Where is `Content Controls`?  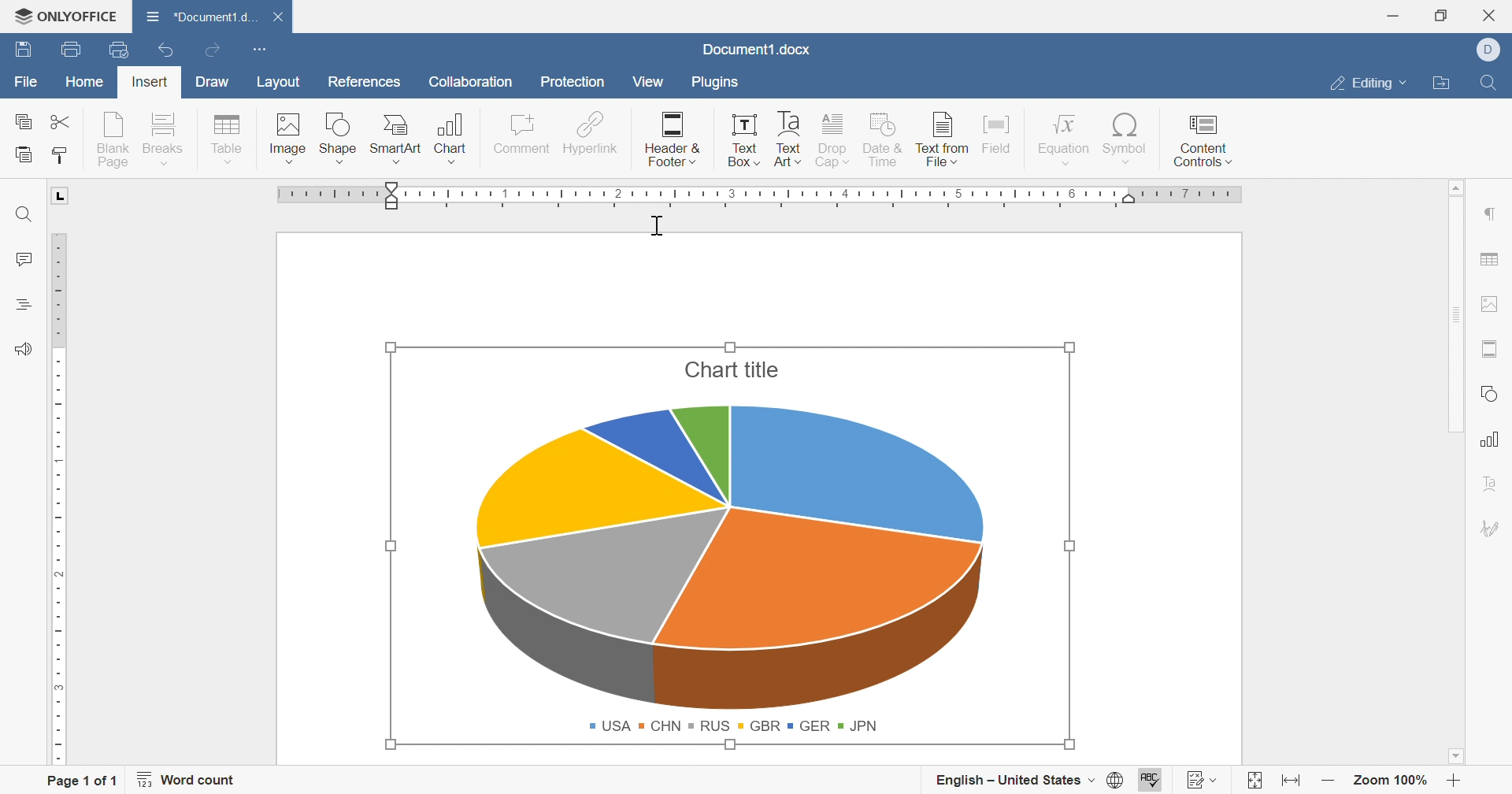
Content Controls is located at coordinates (1203, 140).